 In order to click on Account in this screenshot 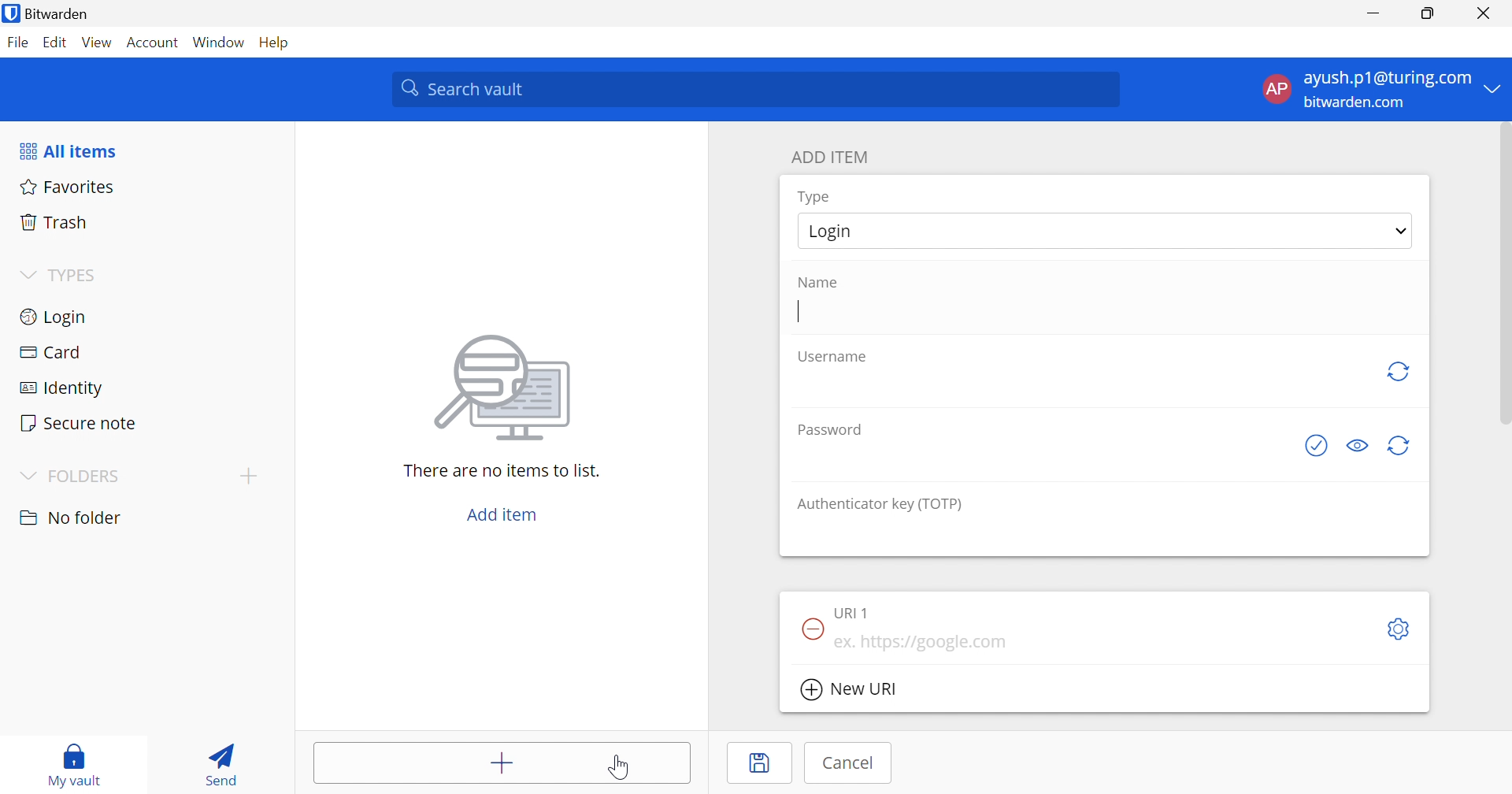, I will do `click(154, 46)`.